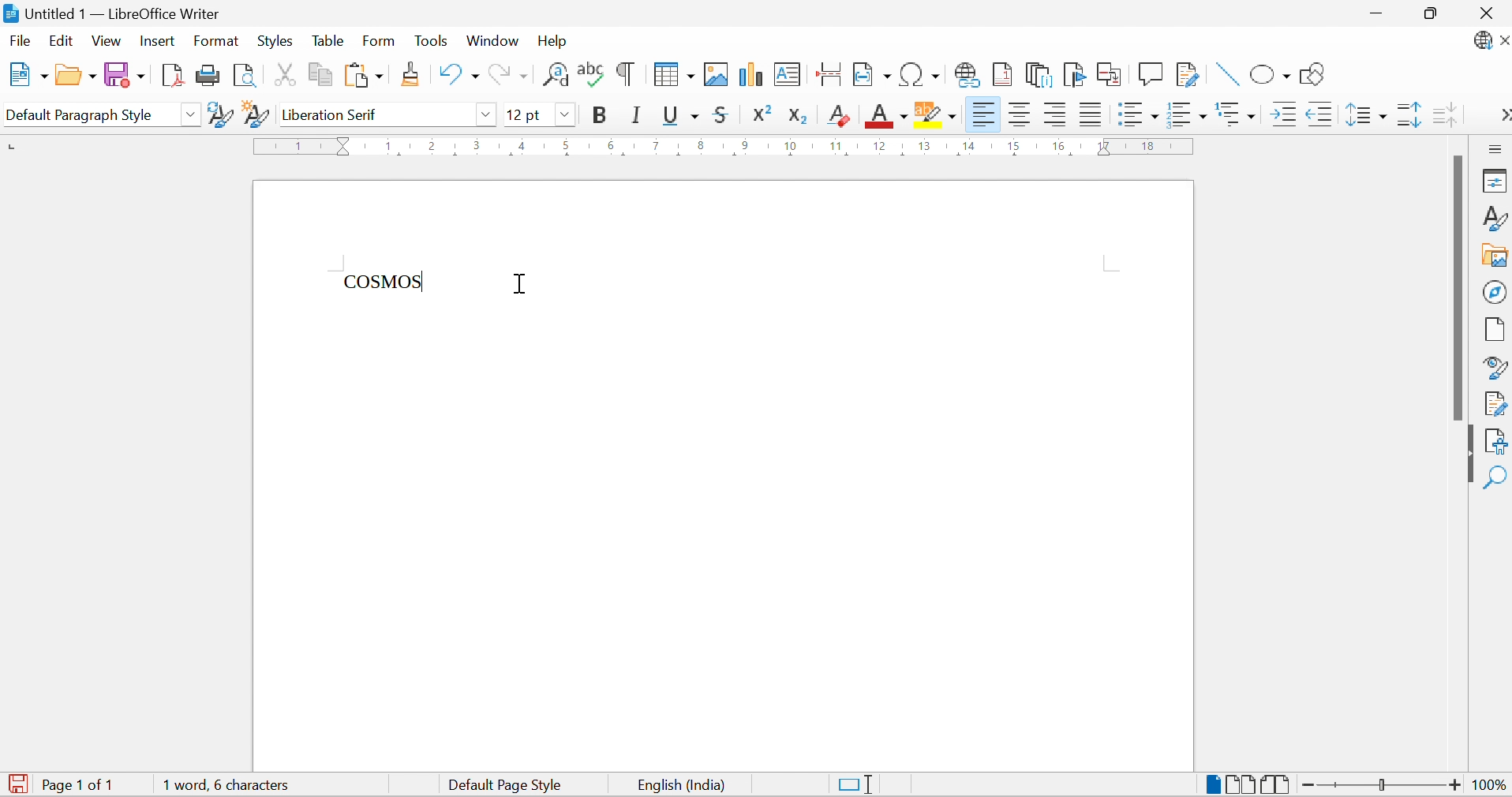 The image size is (1512, 797). What do you see at coordinates (1001, 75) in the screenshot?
I see `Insert Footnote` at bounding box center [1001, 75].